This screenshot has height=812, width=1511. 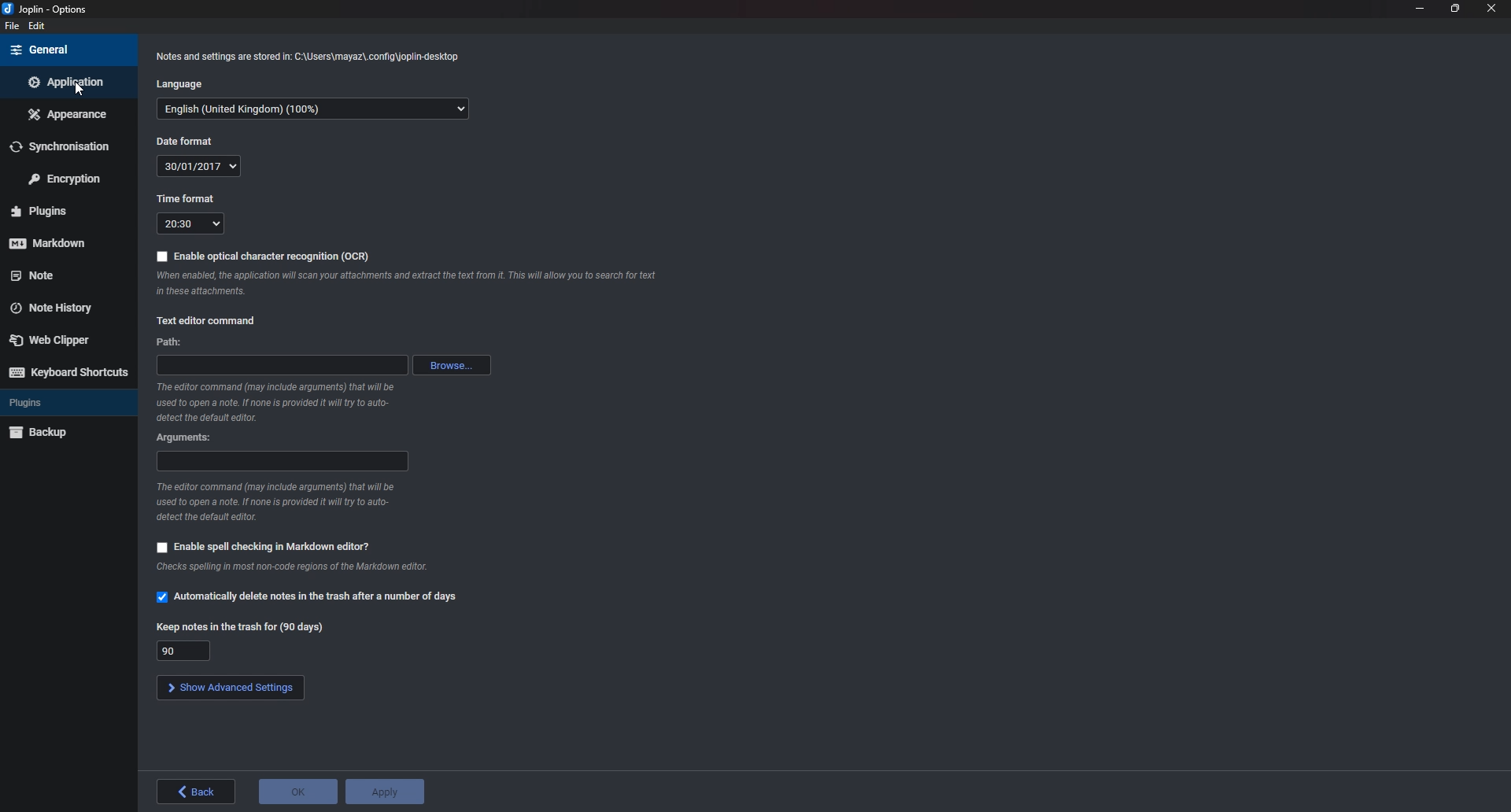 I want to click on Synchronization, so click(x=67, y=144).